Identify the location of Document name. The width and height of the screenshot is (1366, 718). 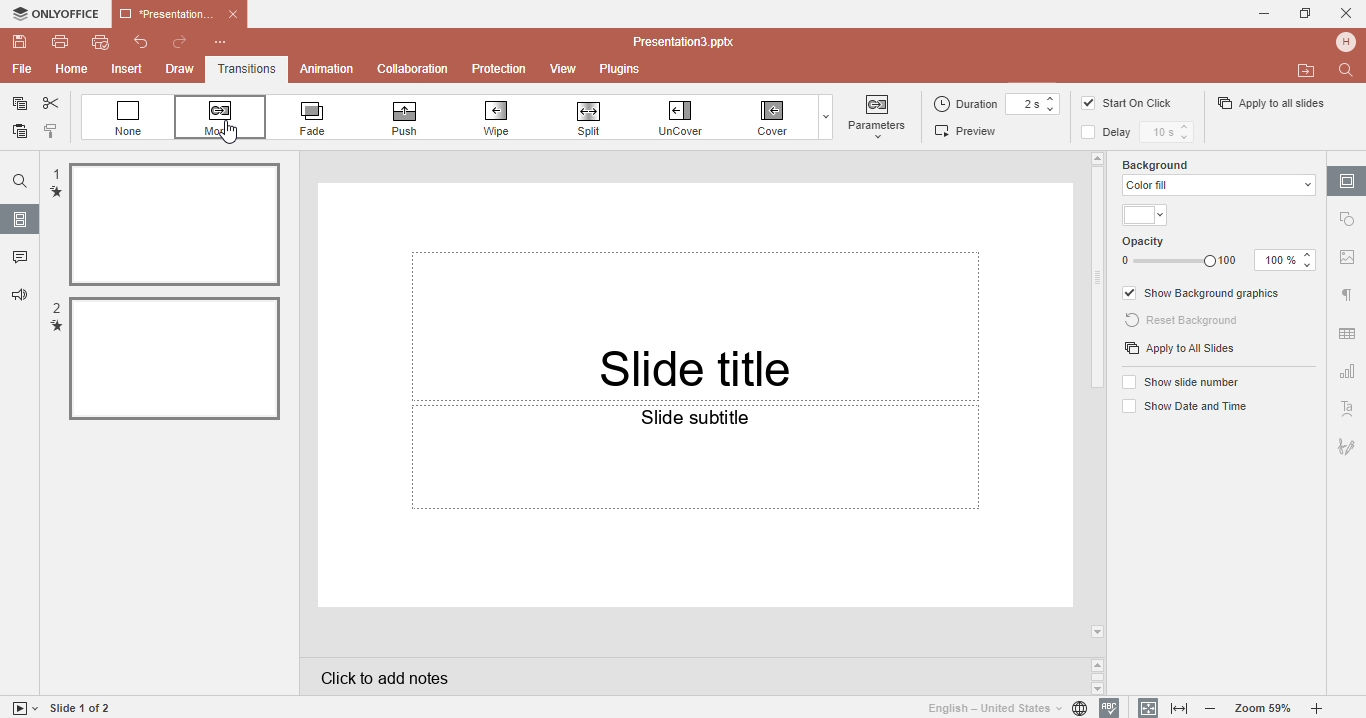
(689, 42).